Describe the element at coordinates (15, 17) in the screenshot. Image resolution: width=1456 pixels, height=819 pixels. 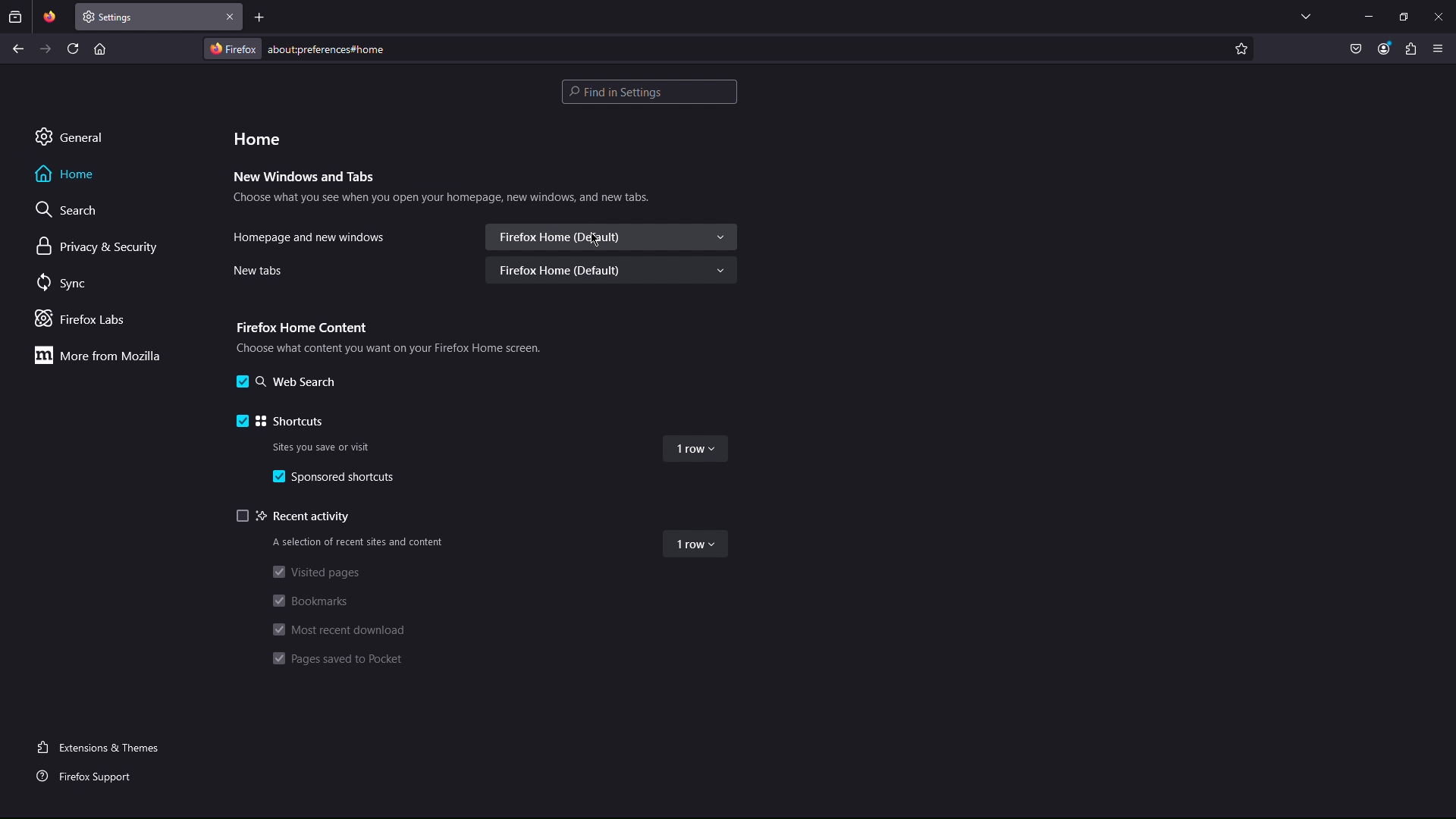
I see `Past browsing` at that location.